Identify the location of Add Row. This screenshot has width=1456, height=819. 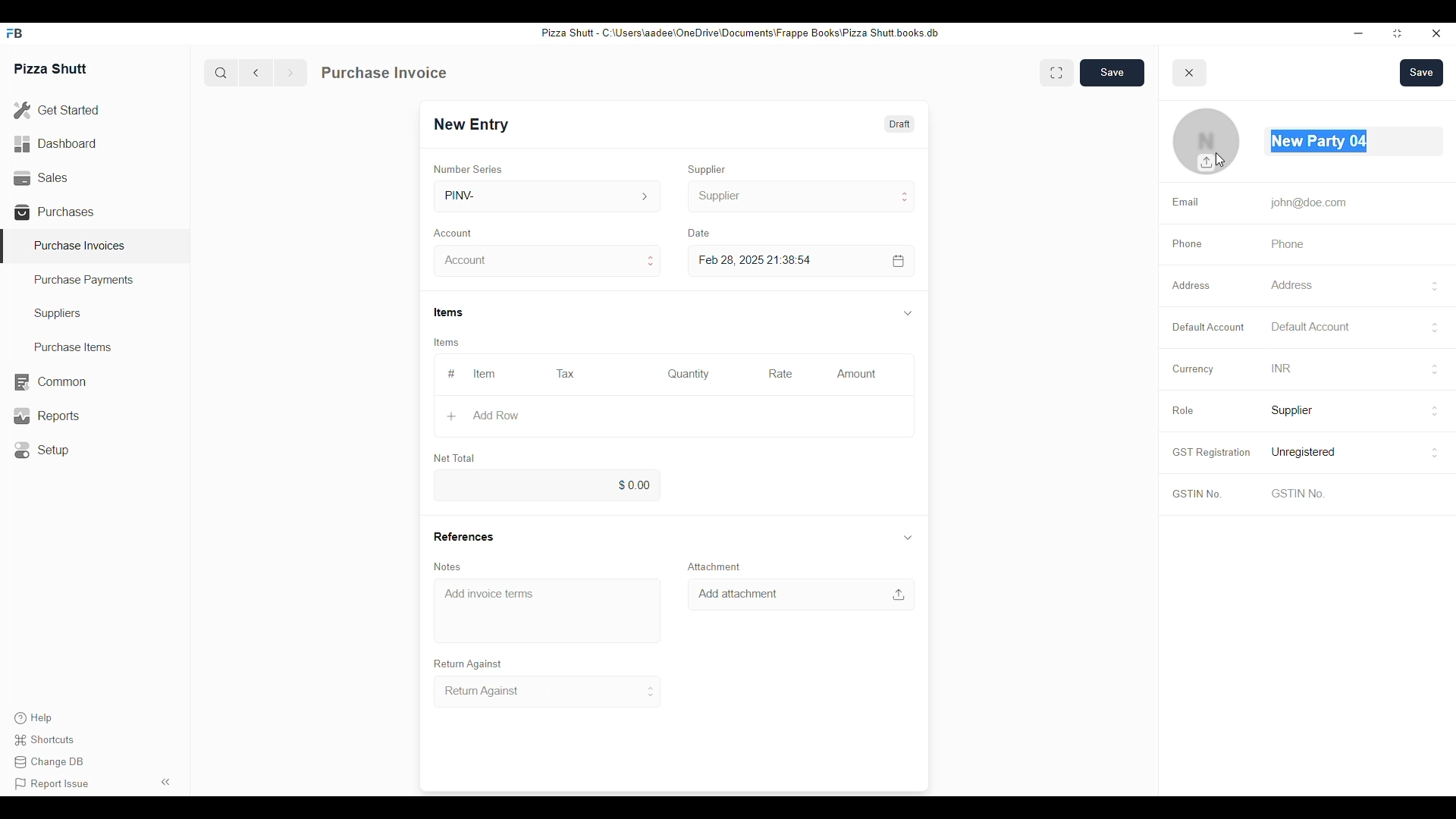
(483, 416).